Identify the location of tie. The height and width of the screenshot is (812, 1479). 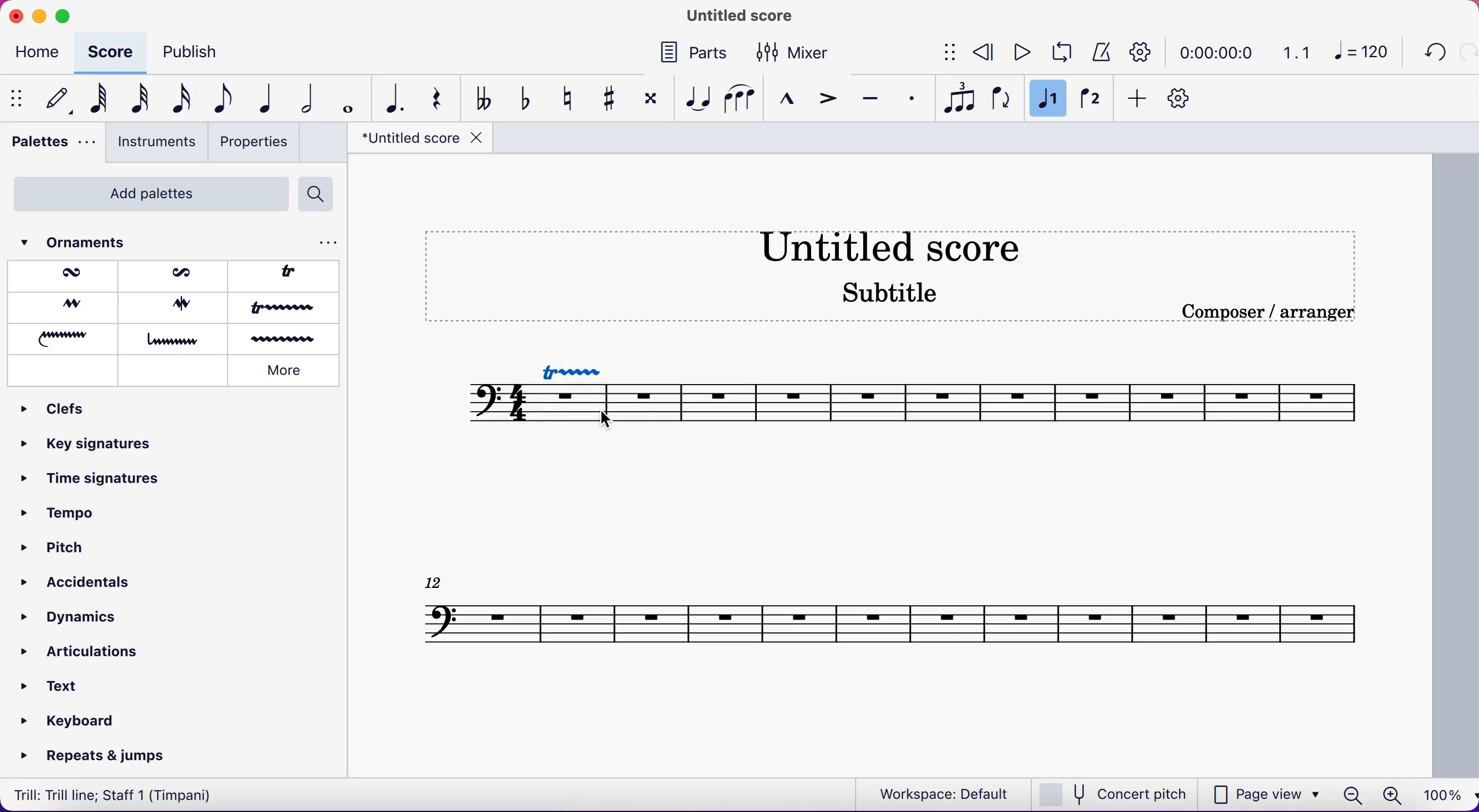
(697, 98).